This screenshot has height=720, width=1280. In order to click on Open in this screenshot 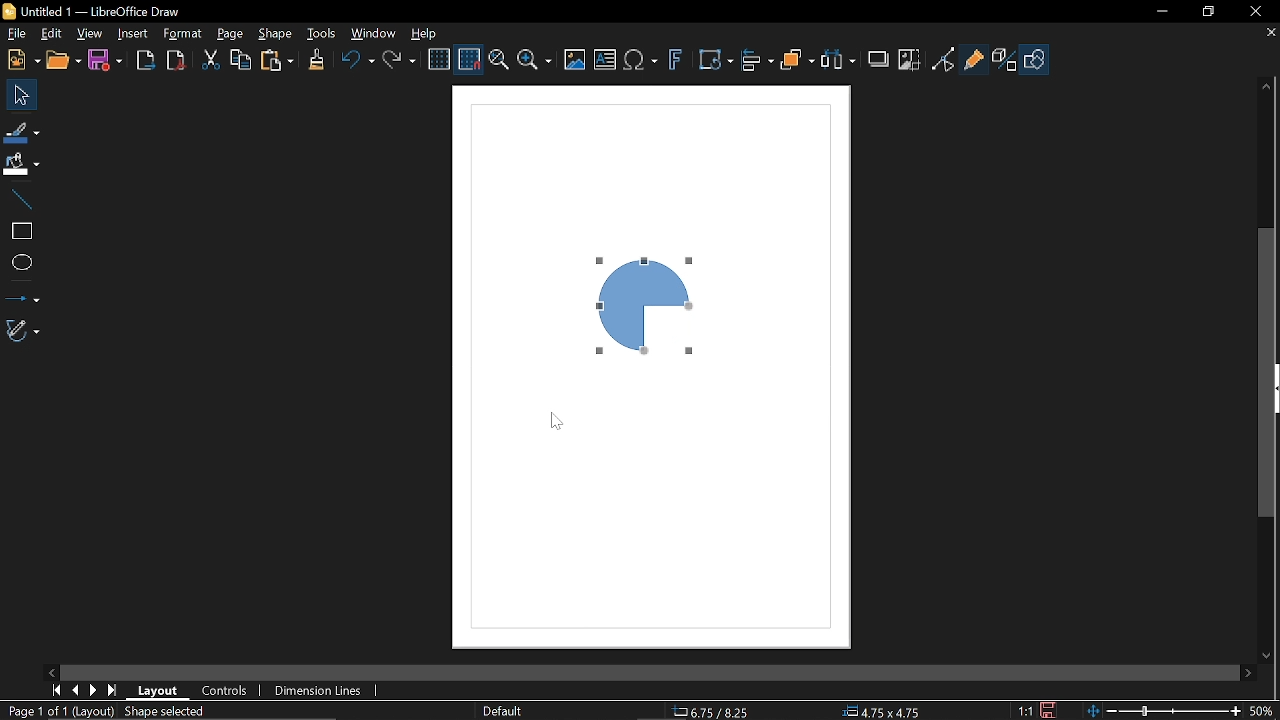, I will do `click(64, 61)`.